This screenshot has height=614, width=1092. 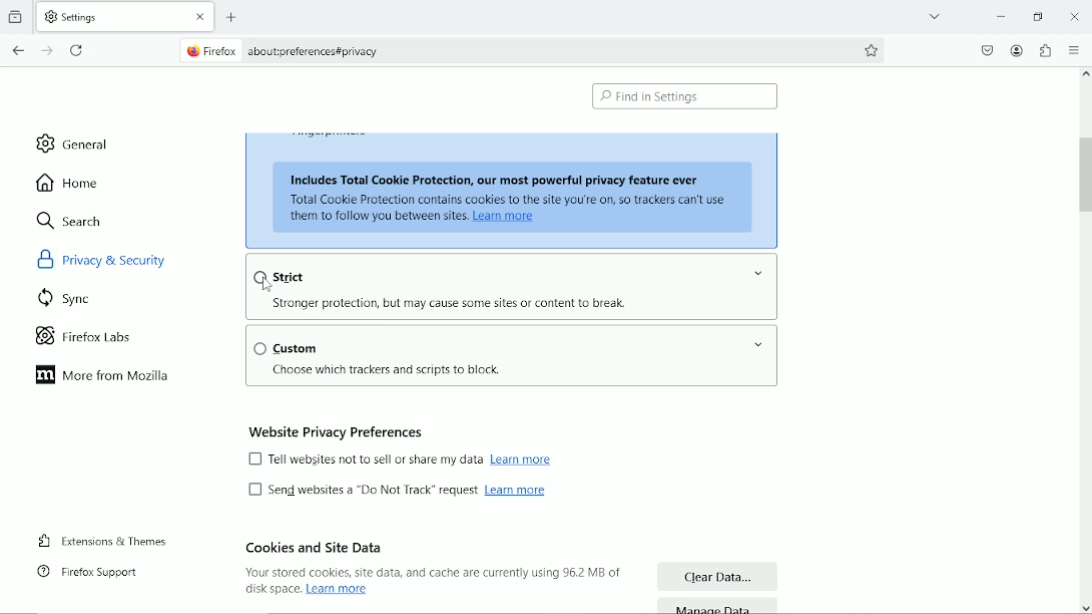 What do you see at coordinates (376, 459) in the screenshot?
I see `text` at bounding box center [376, 459].